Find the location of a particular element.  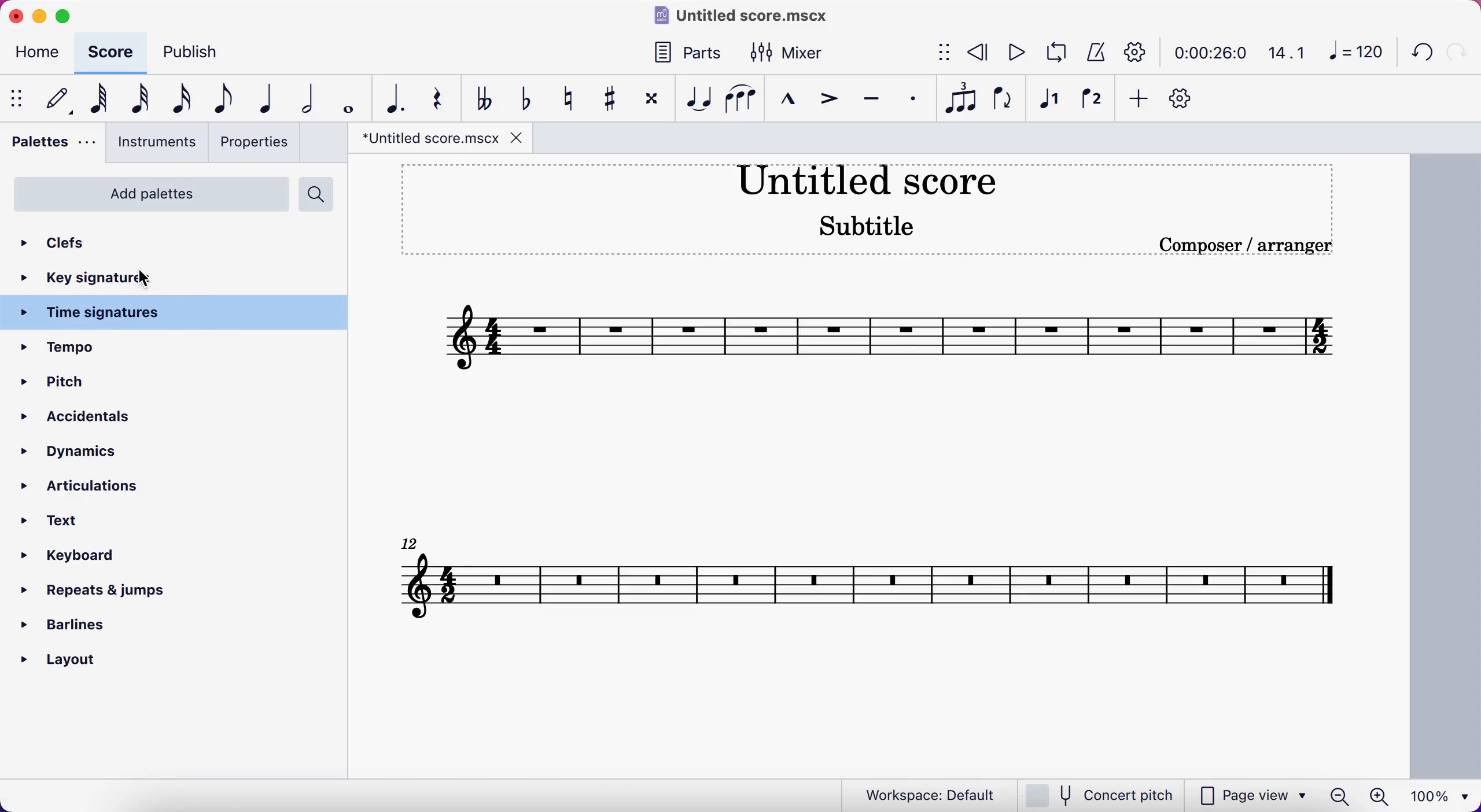

slur is located at coordinates (743, 104).